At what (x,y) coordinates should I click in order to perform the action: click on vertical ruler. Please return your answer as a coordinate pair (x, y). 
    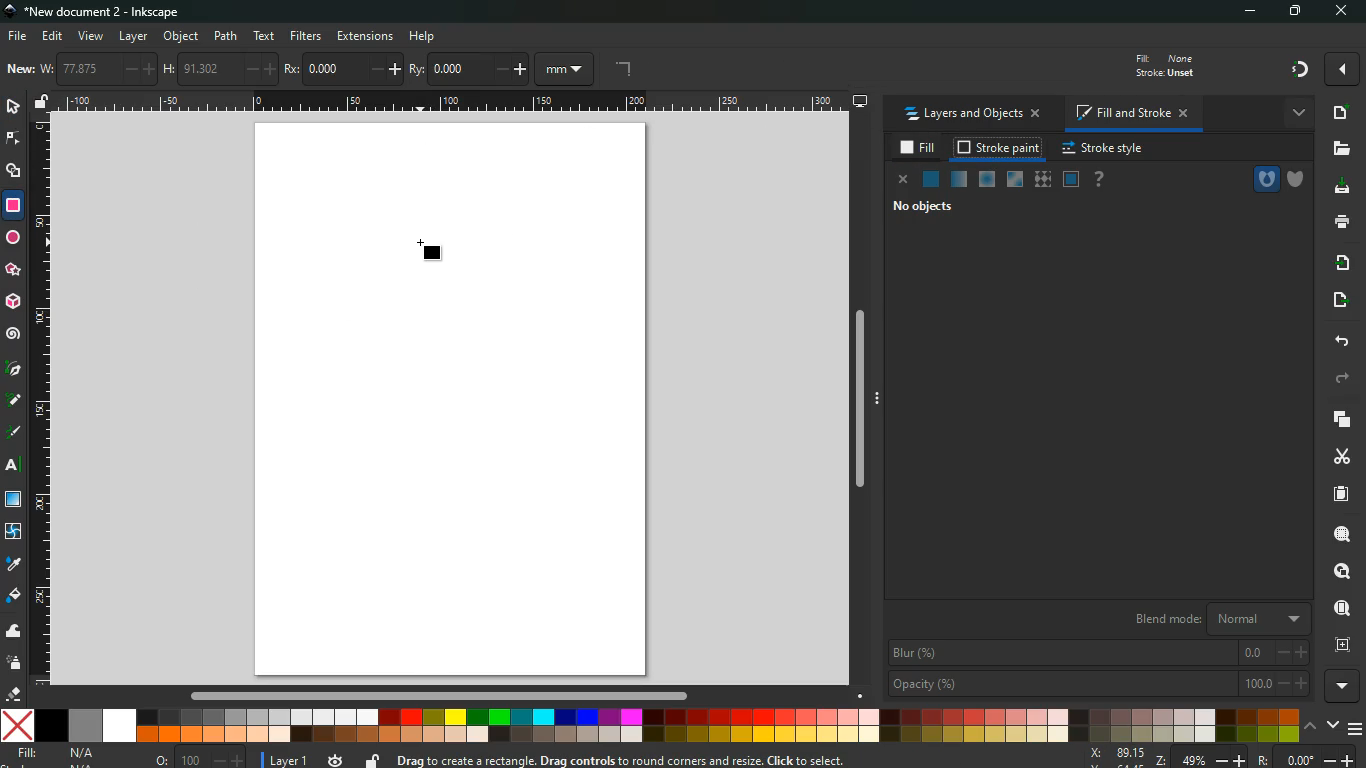
    Looking at the image, I should click on (43, 405).